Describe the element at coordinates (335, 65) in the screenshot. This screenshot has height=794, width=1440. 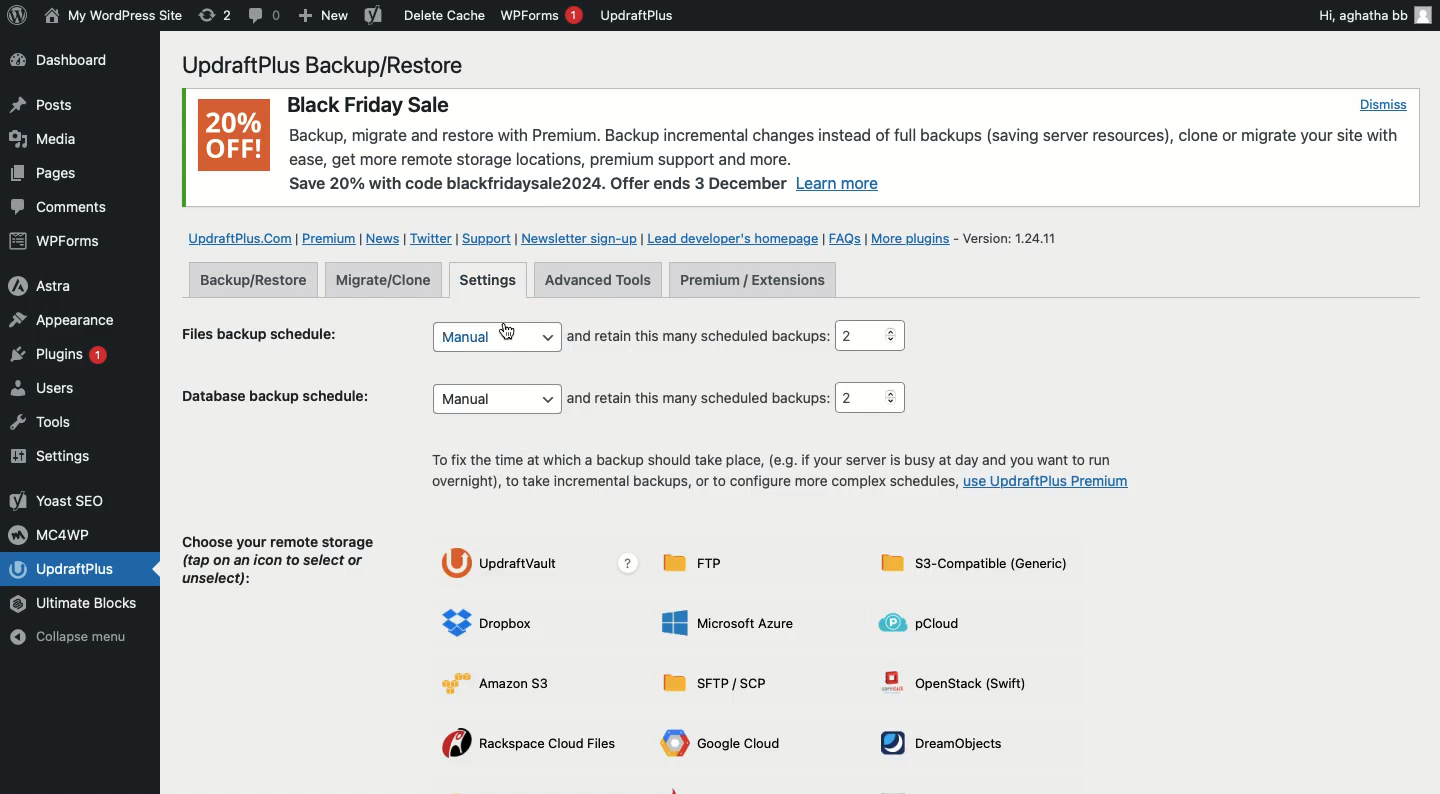
I see `UpdraftPlus Backup/Restore` at that location.